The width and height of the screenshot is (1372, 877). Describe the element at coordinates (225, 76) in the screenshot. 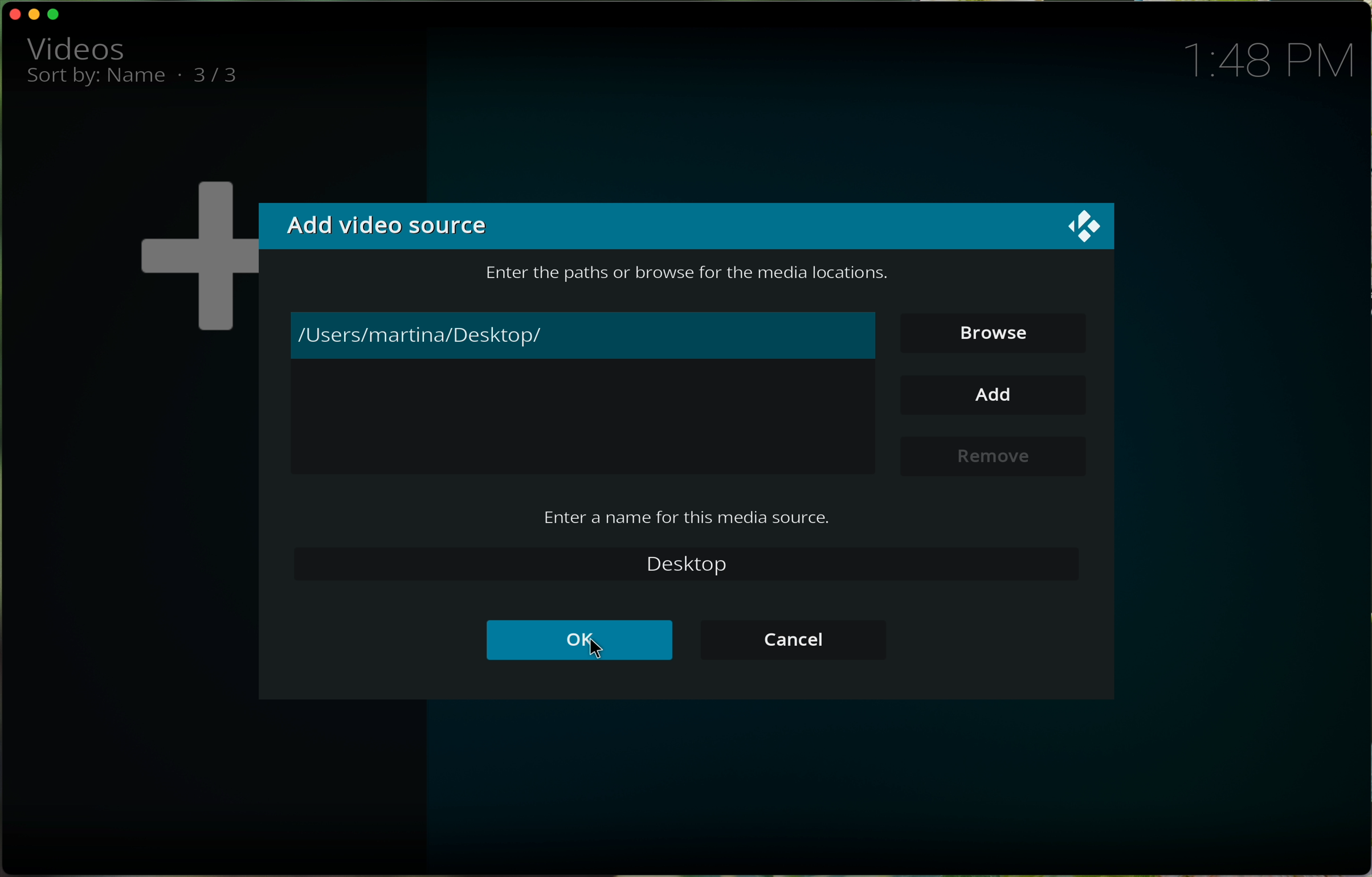

I see `3/3` at that location.